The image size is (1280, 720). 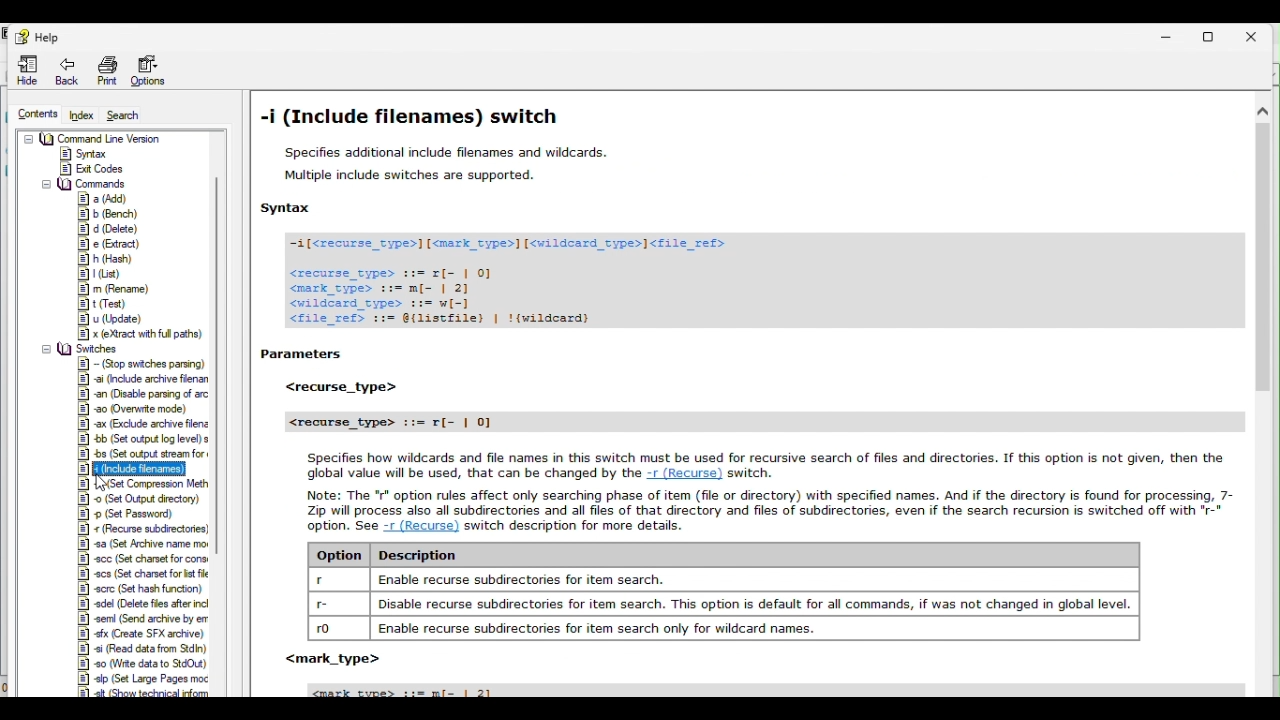 I want to click on set large pages mode, so click(x=141, y=681).